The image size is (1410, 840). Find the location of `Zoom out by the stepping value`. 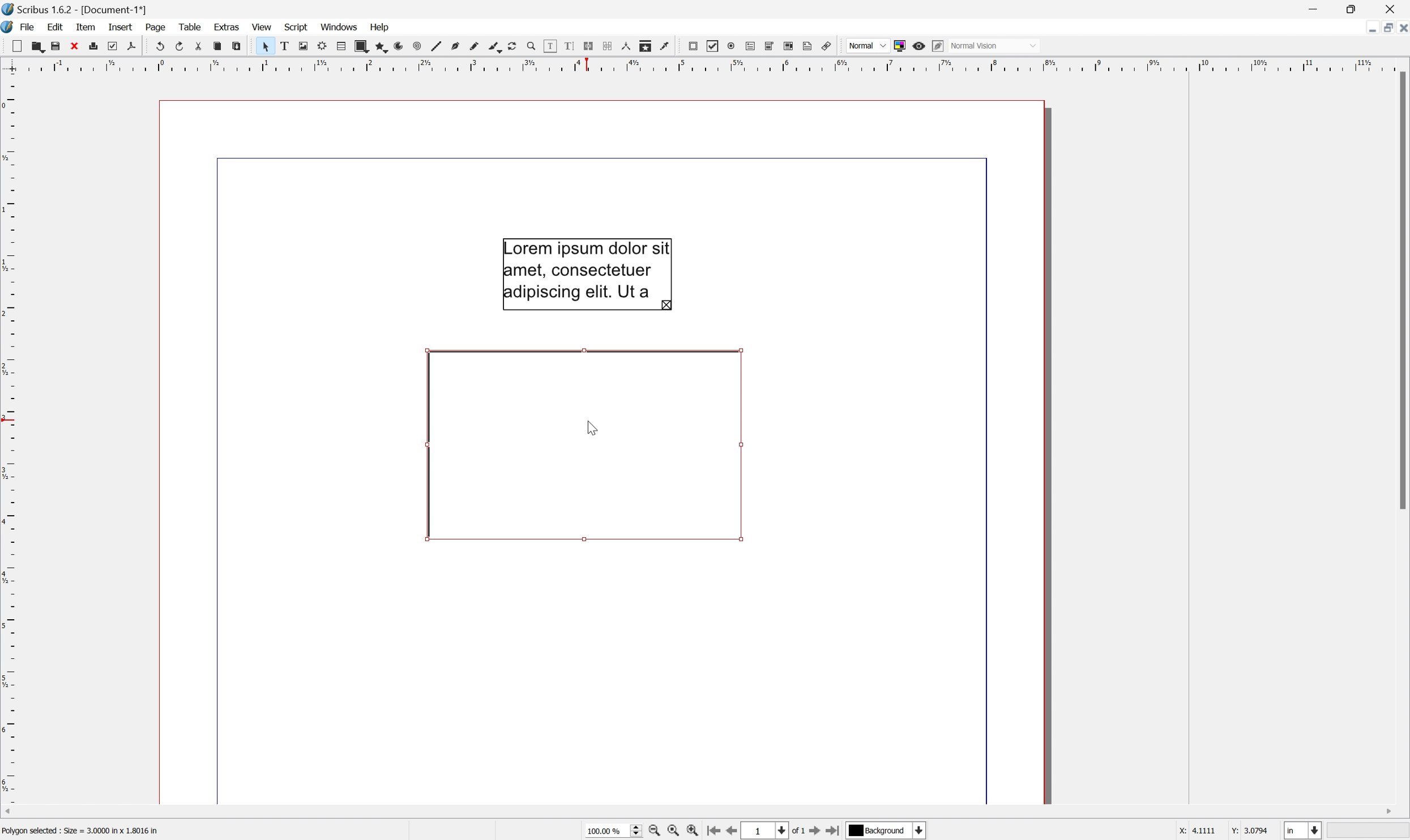

Zoom out by the stepping value is located at coordinates (657, 832).